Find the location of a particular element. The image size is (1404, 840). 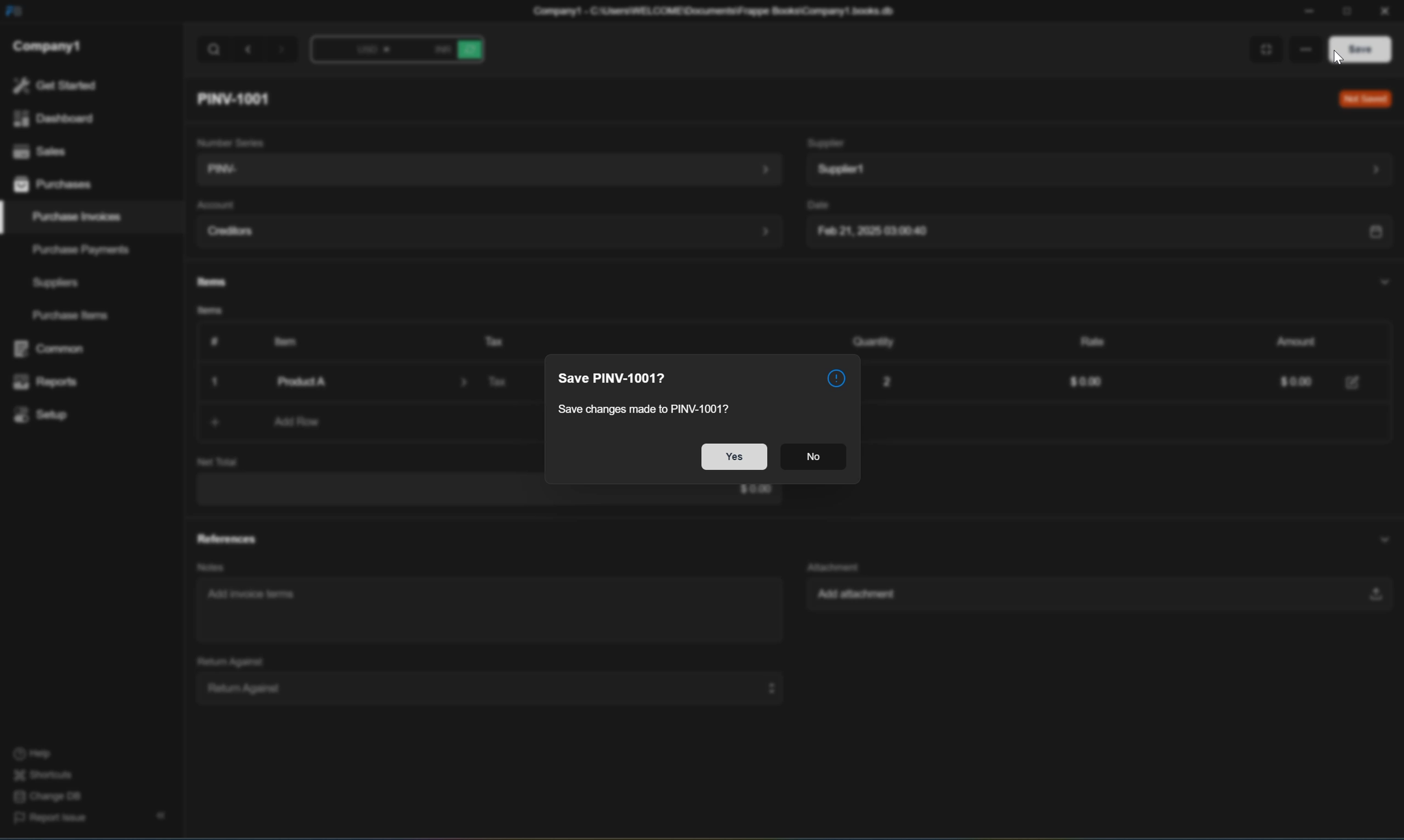

Save PINV-1001? is located at coordinates (615, 378).